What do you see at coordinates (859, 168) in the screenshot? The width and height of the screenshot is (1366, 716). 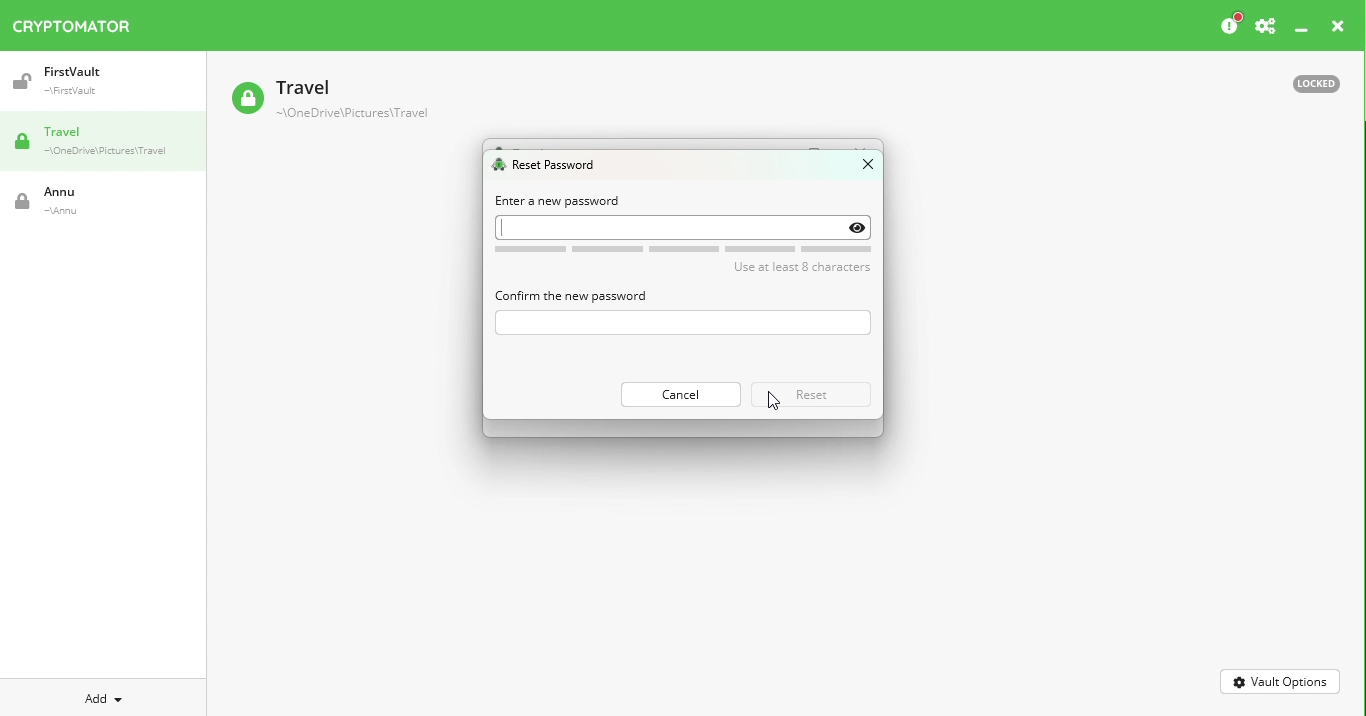 I see `Close` at bounding box center [859, 168].